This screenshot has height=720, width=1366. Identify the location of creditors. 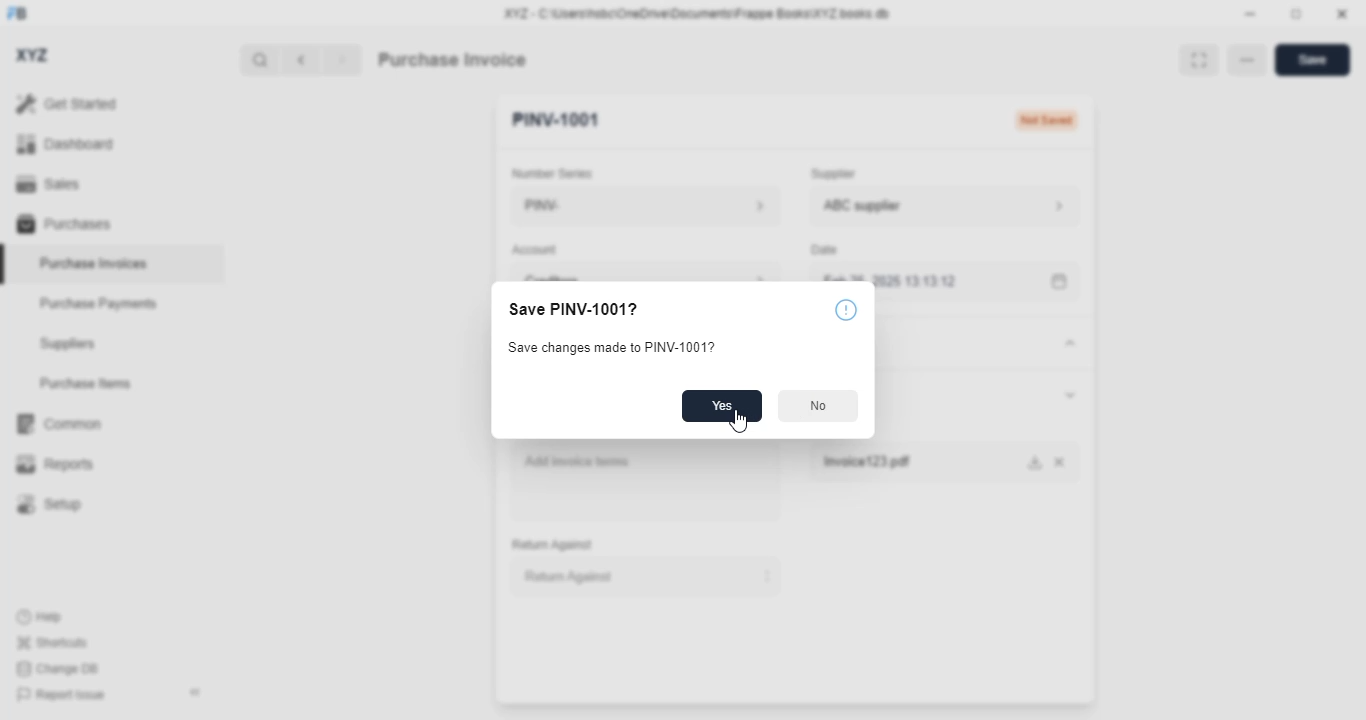
(617, 272).